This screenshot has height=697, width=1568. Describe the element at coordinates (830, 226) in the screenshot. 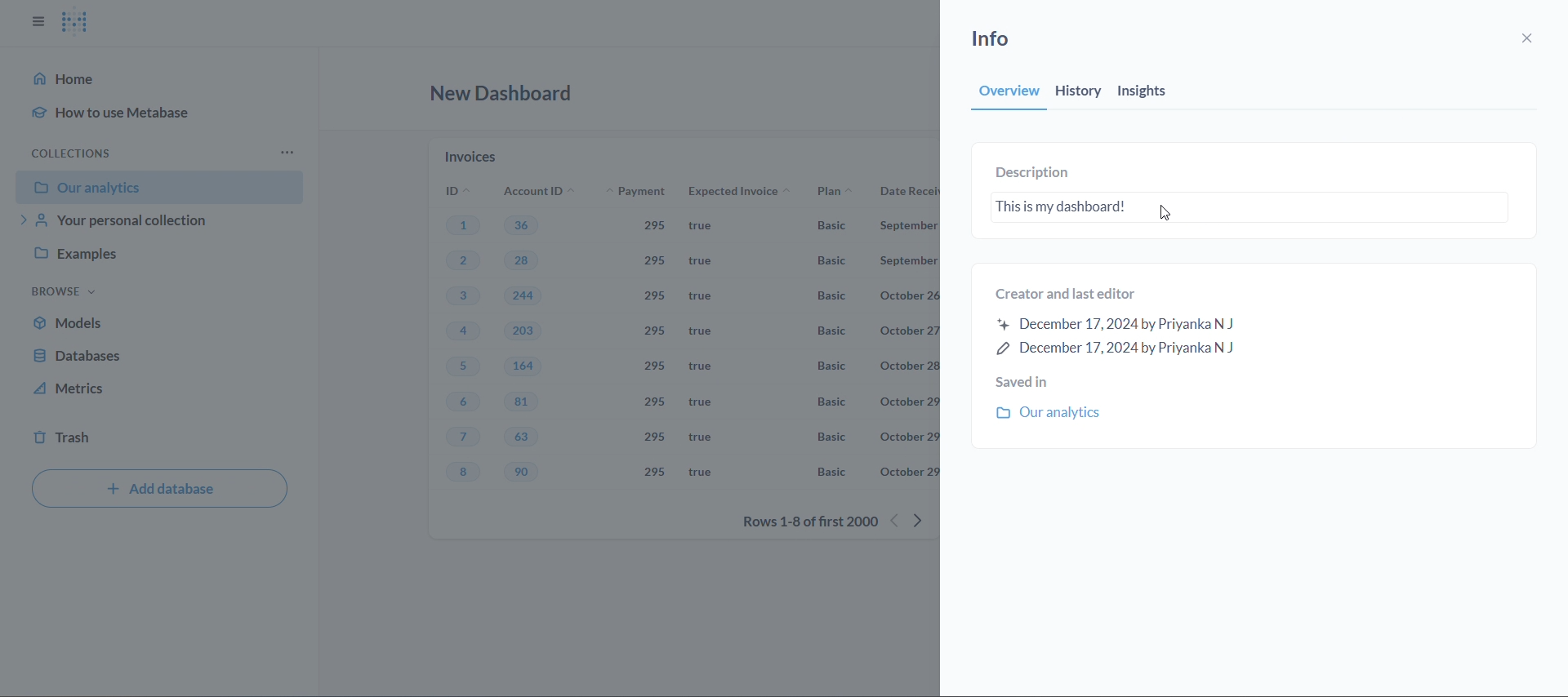

I see `Basic` at that location.